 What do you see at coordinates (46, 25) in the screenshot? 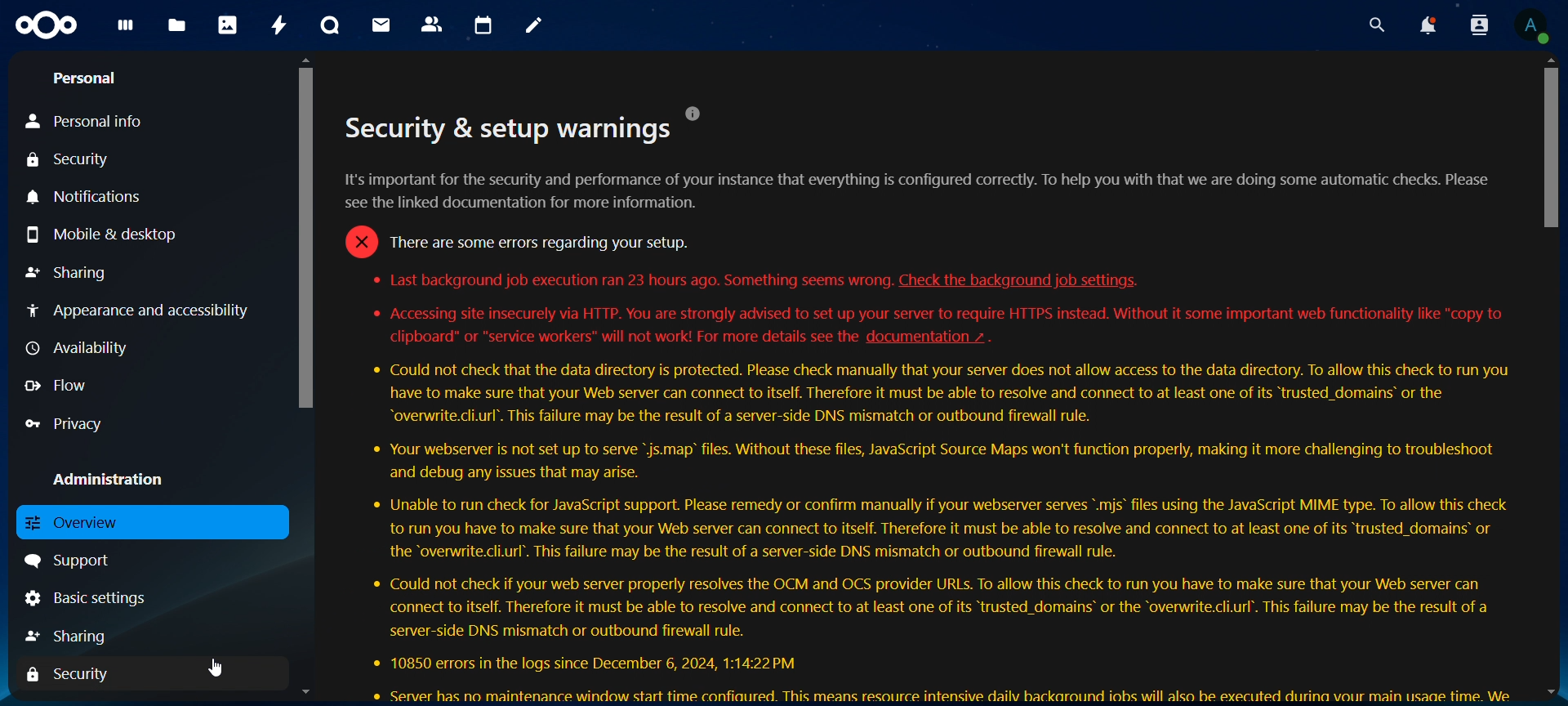
I see `icon` at bounding box center [46, 25].